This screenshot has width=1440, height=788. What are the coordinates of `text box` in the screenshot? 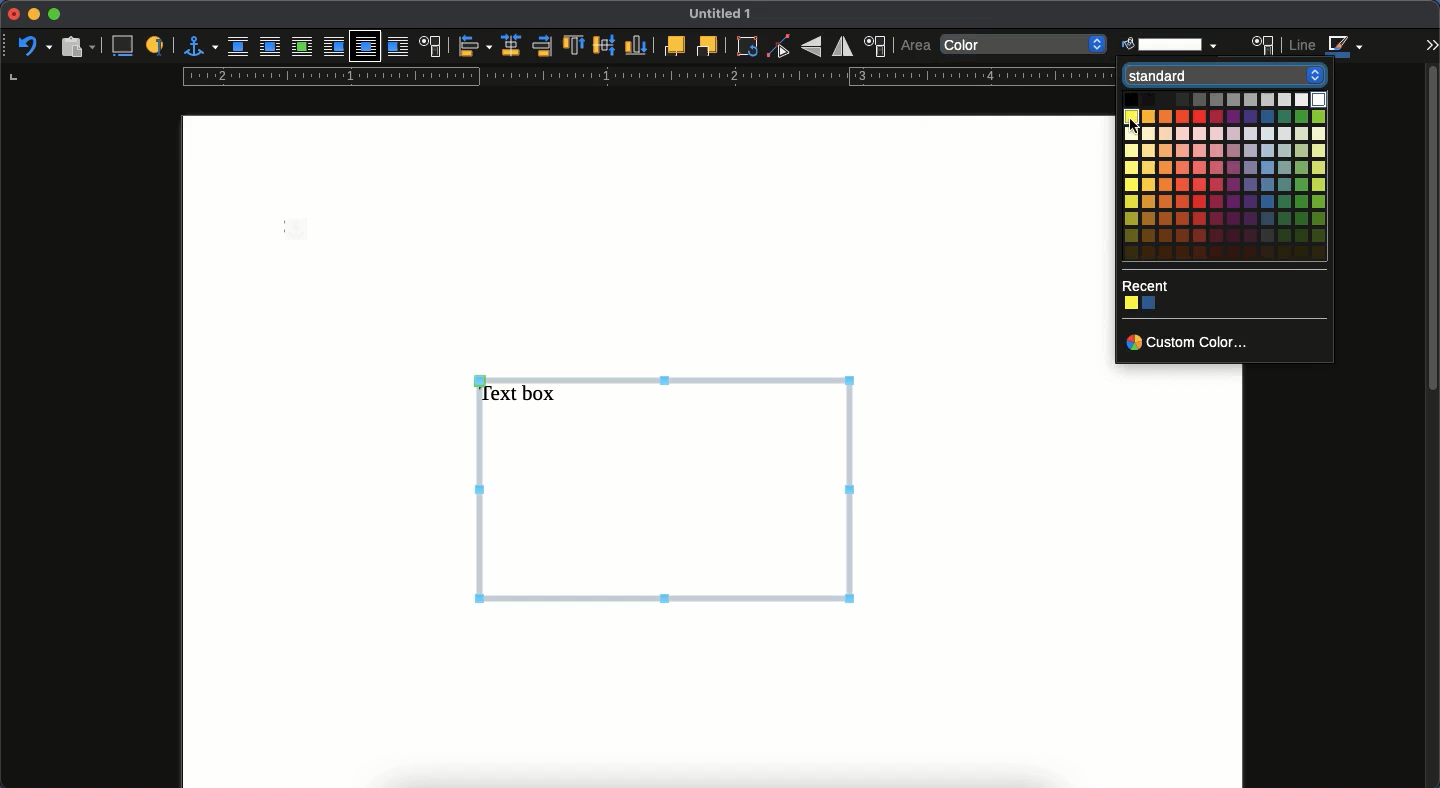 It's located at (667, 486).